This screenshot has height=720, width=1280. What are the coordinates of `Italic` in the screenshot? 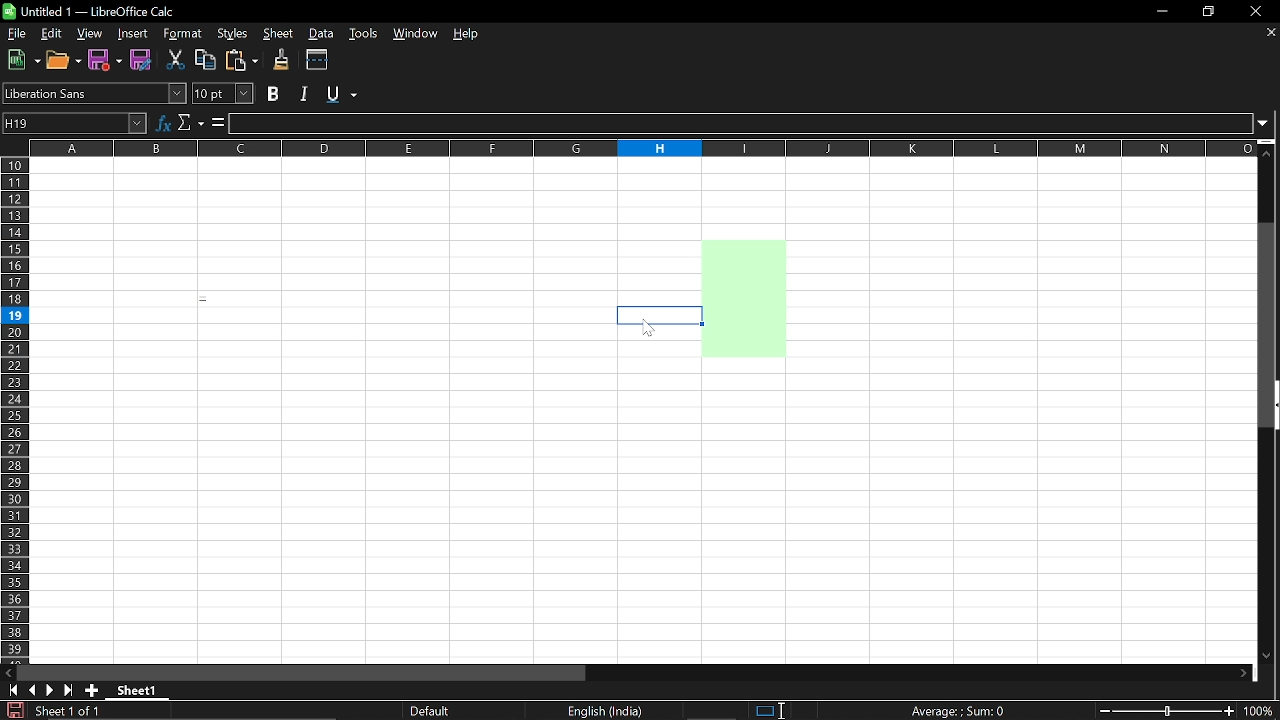 It's located at (304, 93).